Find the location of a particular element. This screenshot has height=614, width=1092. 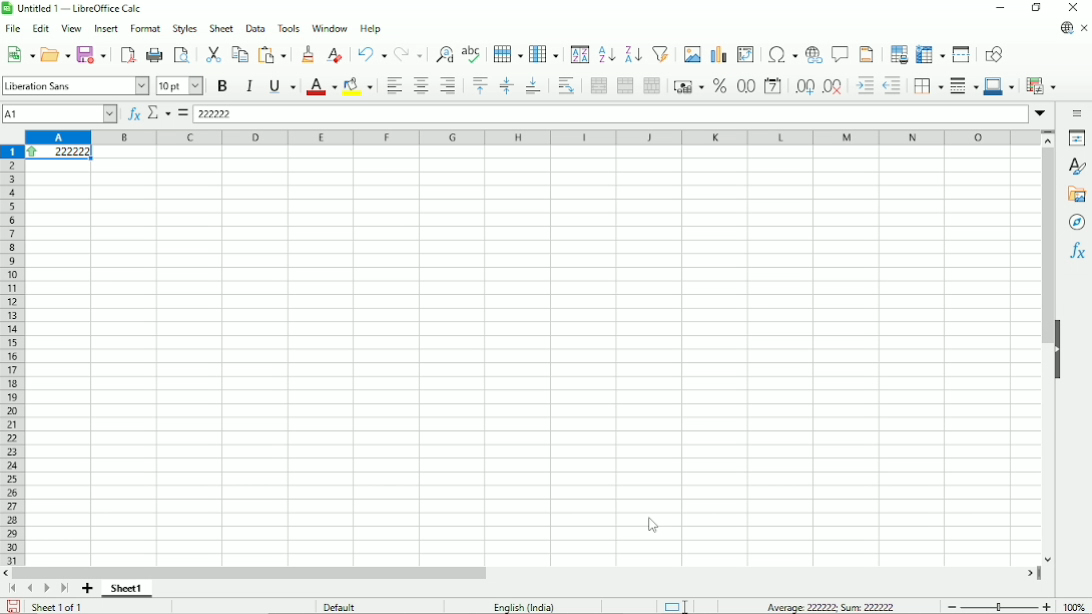

Navigator is located at coordinates (1076, 222).